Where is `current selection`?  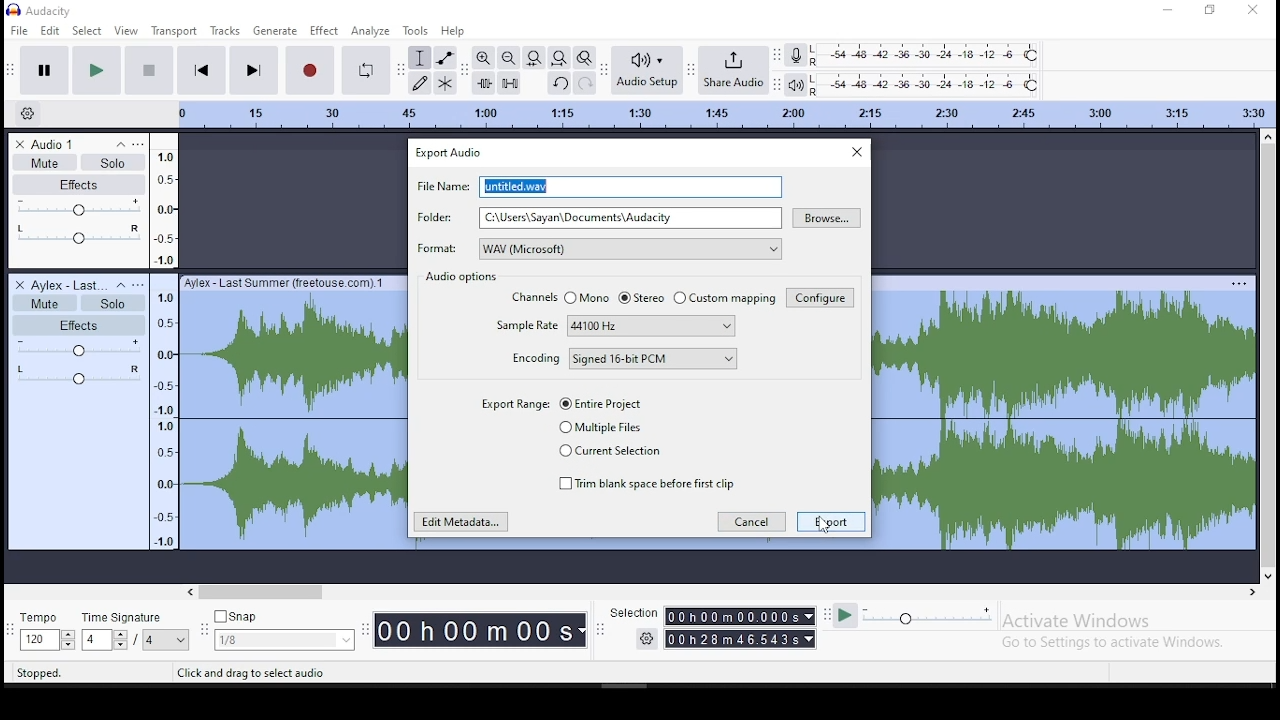 current selection is located at coordinates (612, 452).